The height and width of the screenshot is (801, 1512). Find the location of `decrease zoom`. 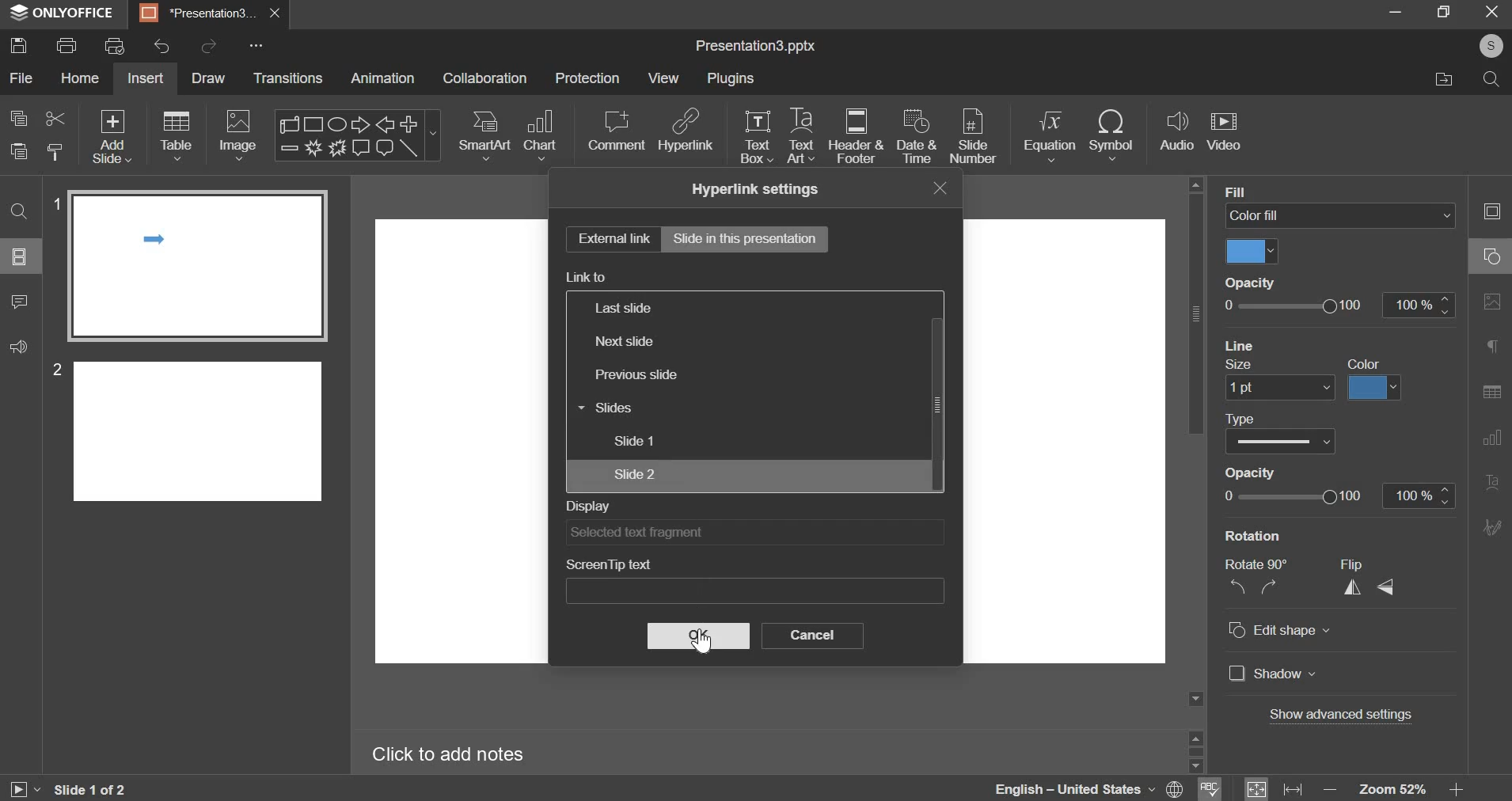

decrease zoom is located at coordinates (1331, 790).